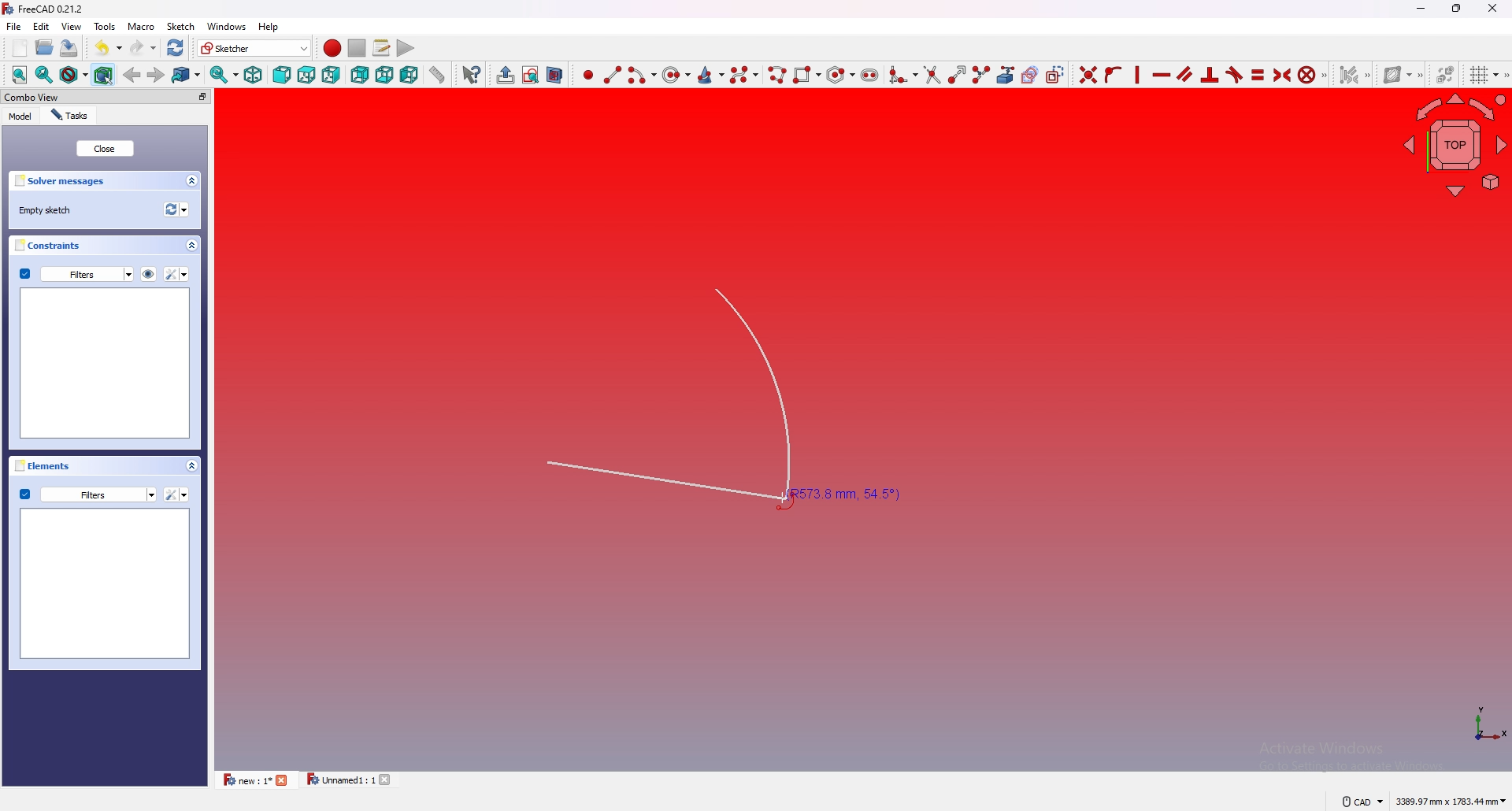  I want to click on stop macro, so click(358, 48).